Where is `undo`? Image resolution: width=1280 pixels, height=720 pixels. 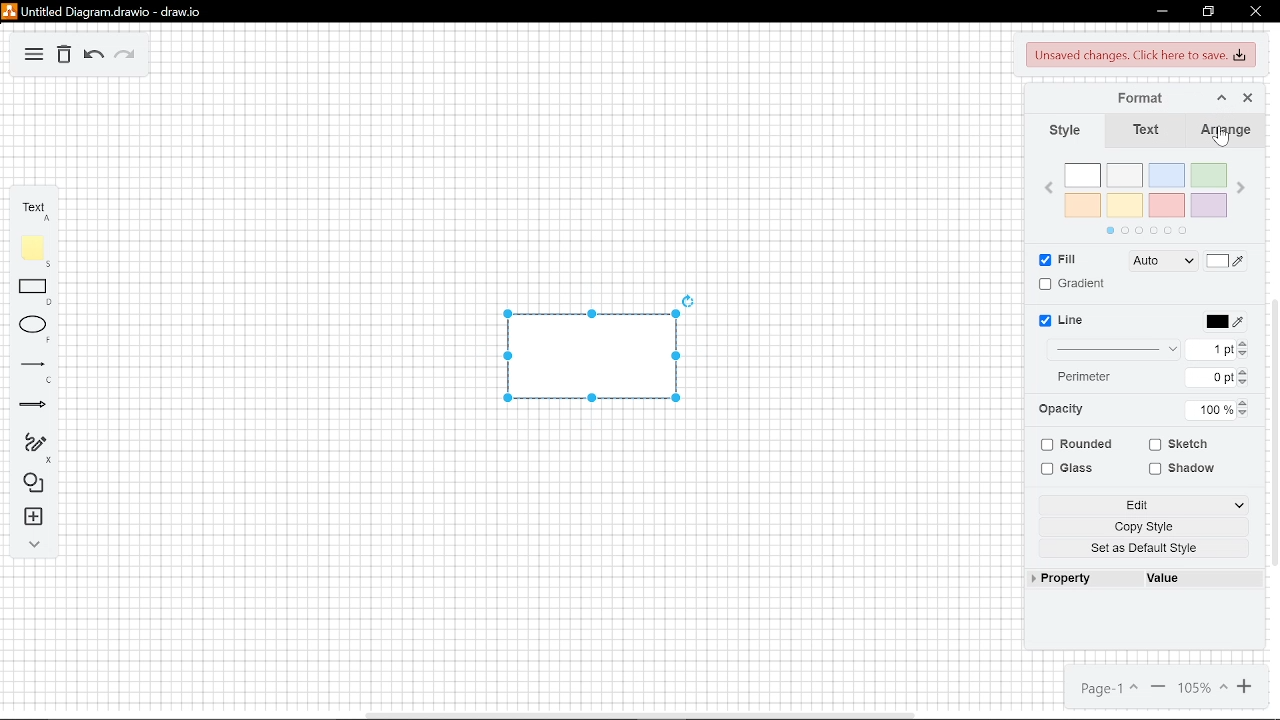
undo is located at coordinates (95, 56).